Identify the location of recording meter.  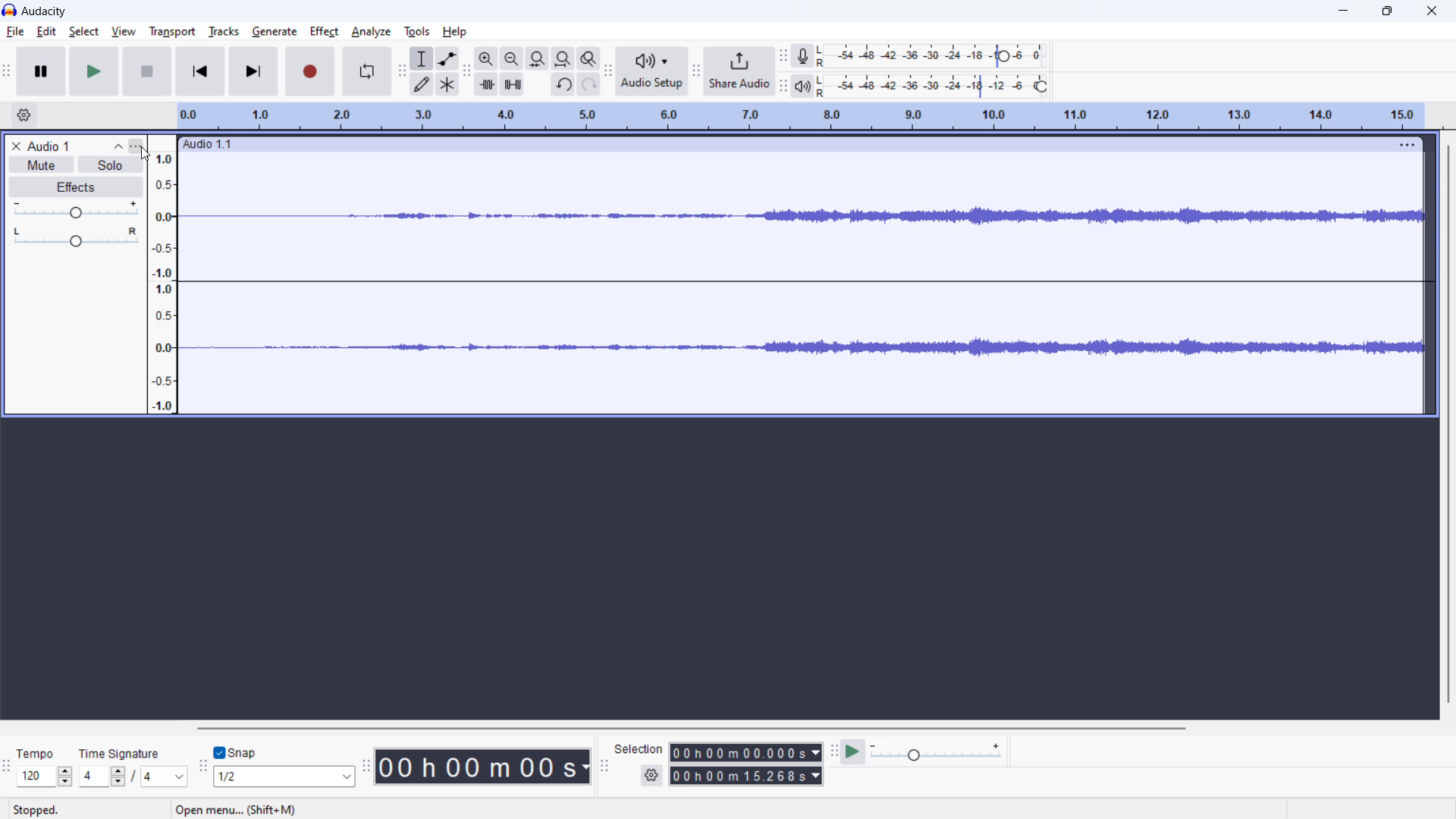
(803, 55).